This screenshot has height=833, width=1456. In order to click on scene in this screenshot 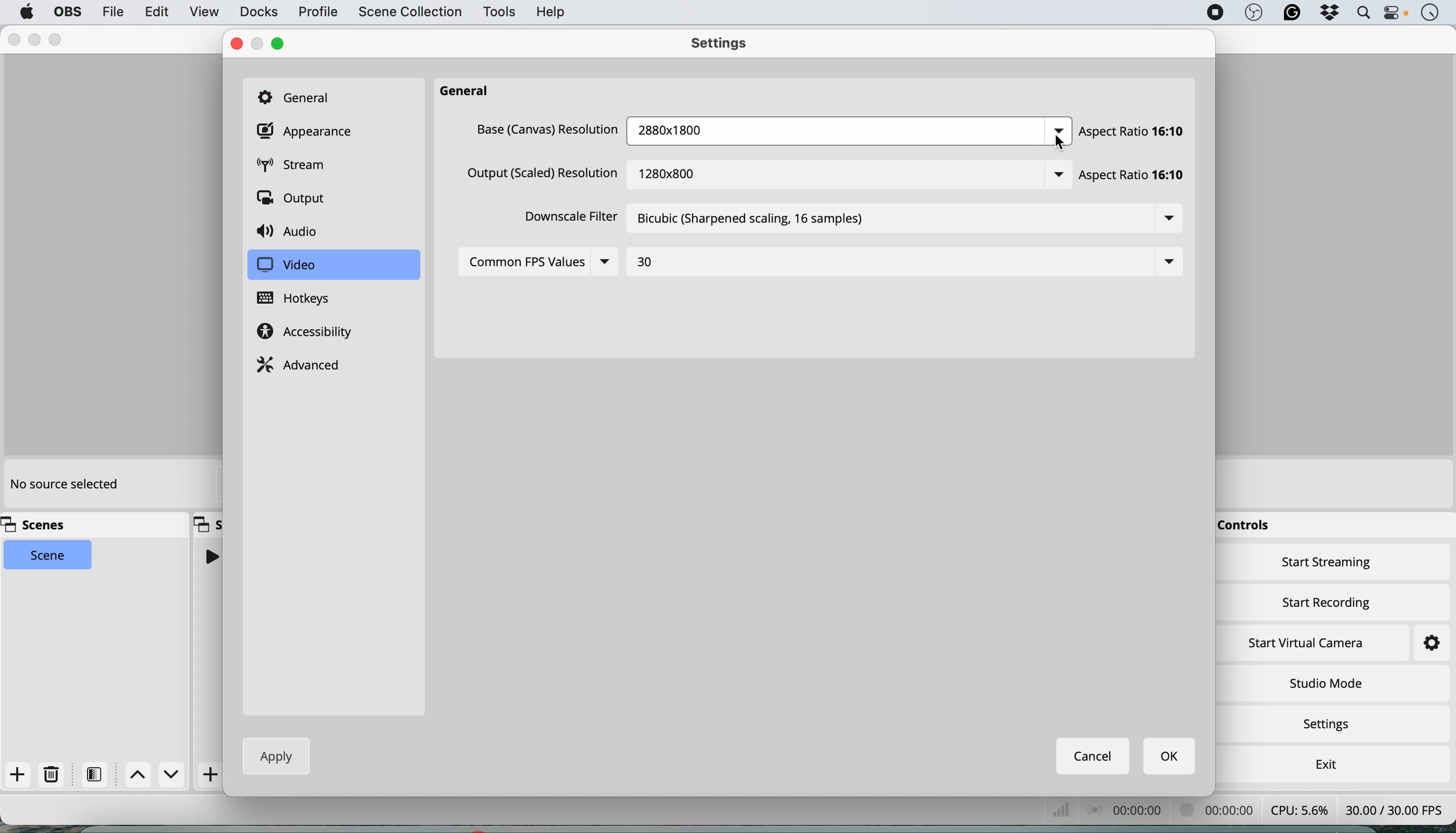, I will do `click(49, 557)`.